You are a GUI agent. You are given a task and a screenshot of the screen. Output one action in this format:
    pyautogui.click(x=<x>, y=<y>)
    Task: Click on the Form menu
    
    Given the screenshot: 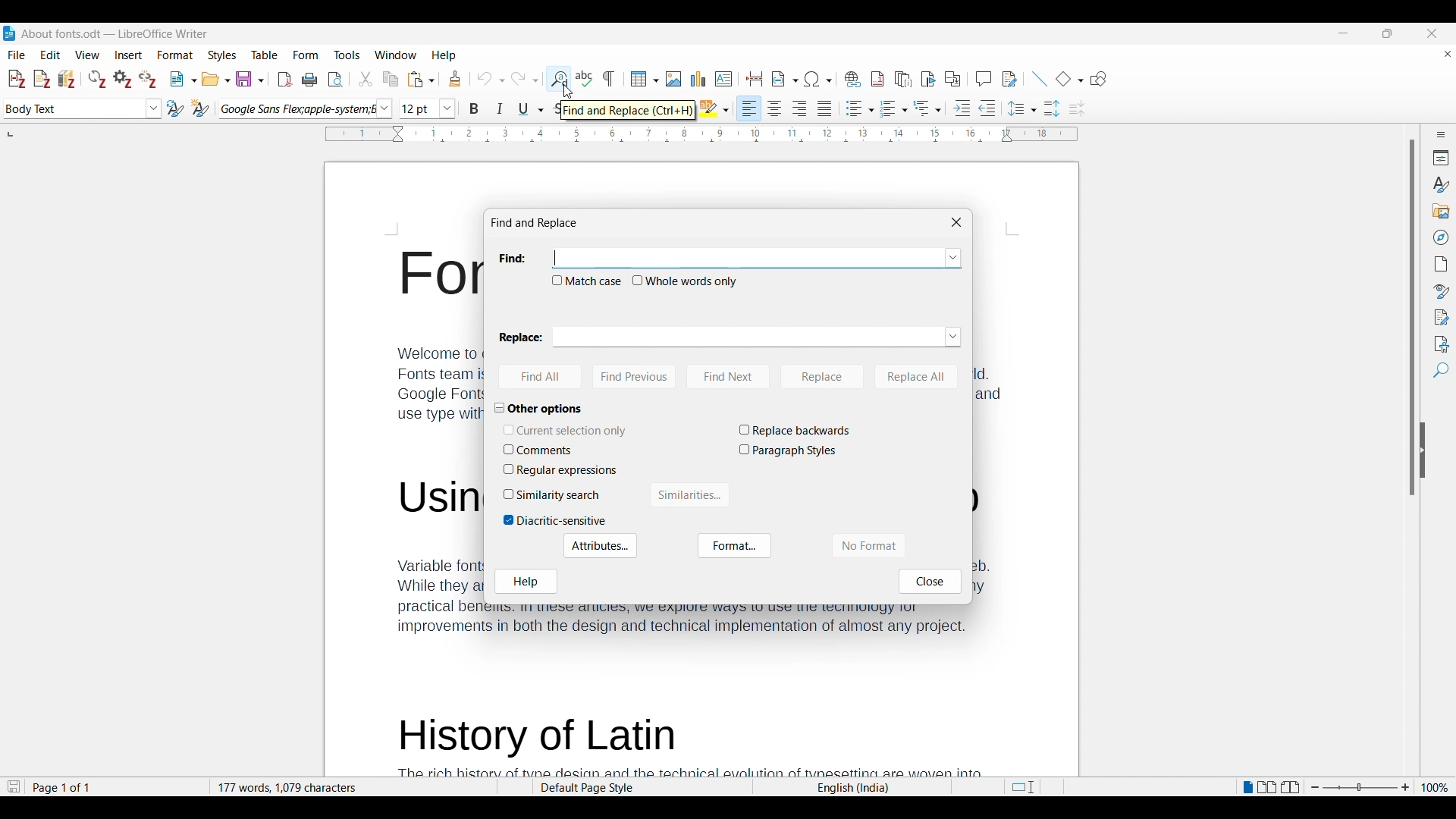 What is the action you would take?
    pyautogui.click(x=306, y=55)
    